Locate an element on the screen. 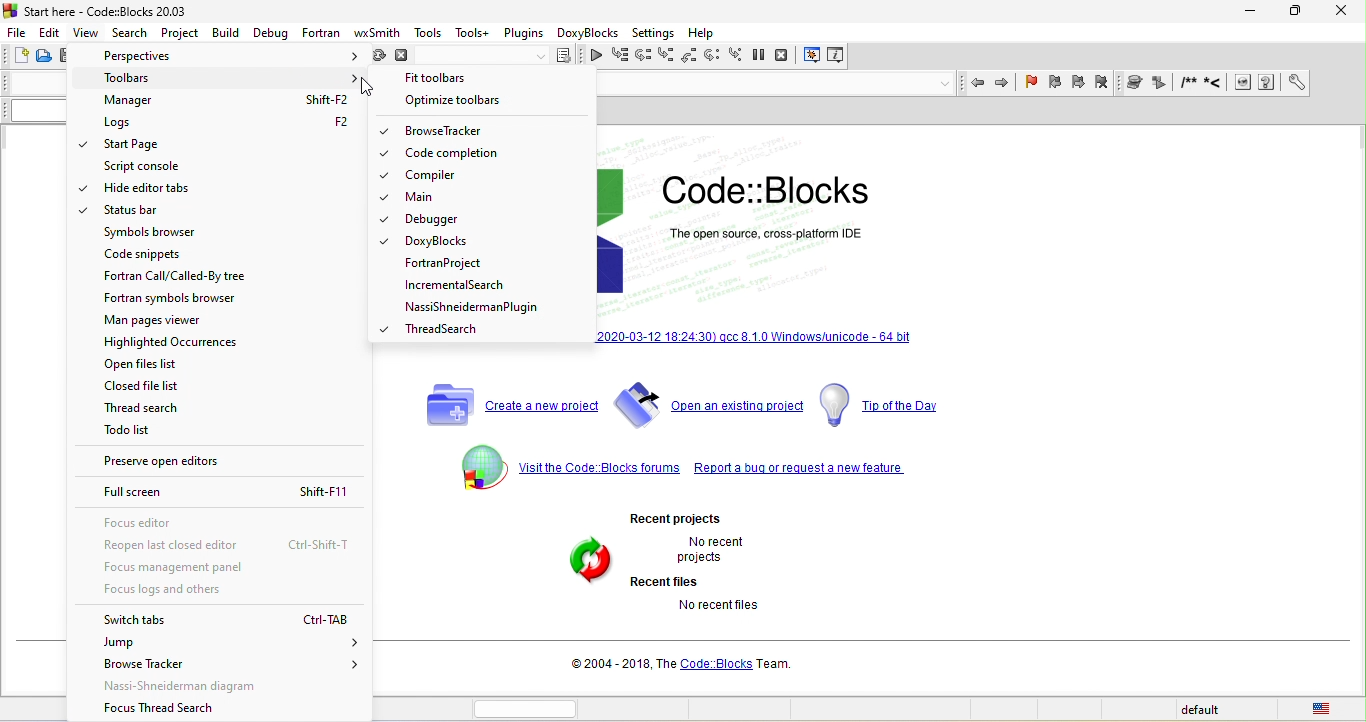 This screenshot has width=1366, height=722. recent files is located at coordinates (669, 583).